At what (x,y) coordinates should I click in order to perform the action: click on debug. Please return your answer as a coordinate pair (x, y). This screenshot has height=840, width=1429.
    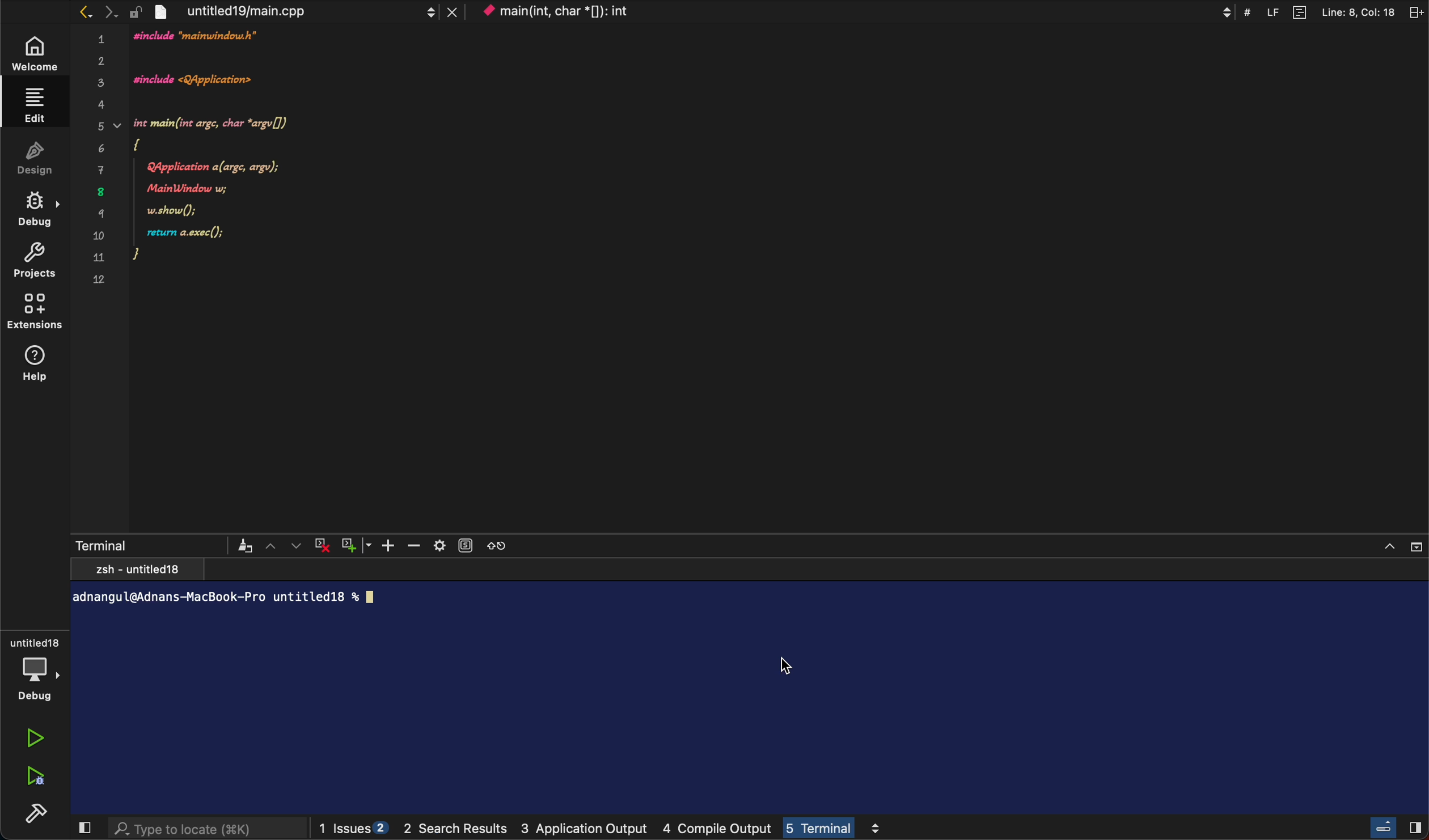
    Looking at the image, I should click on (39, 668).